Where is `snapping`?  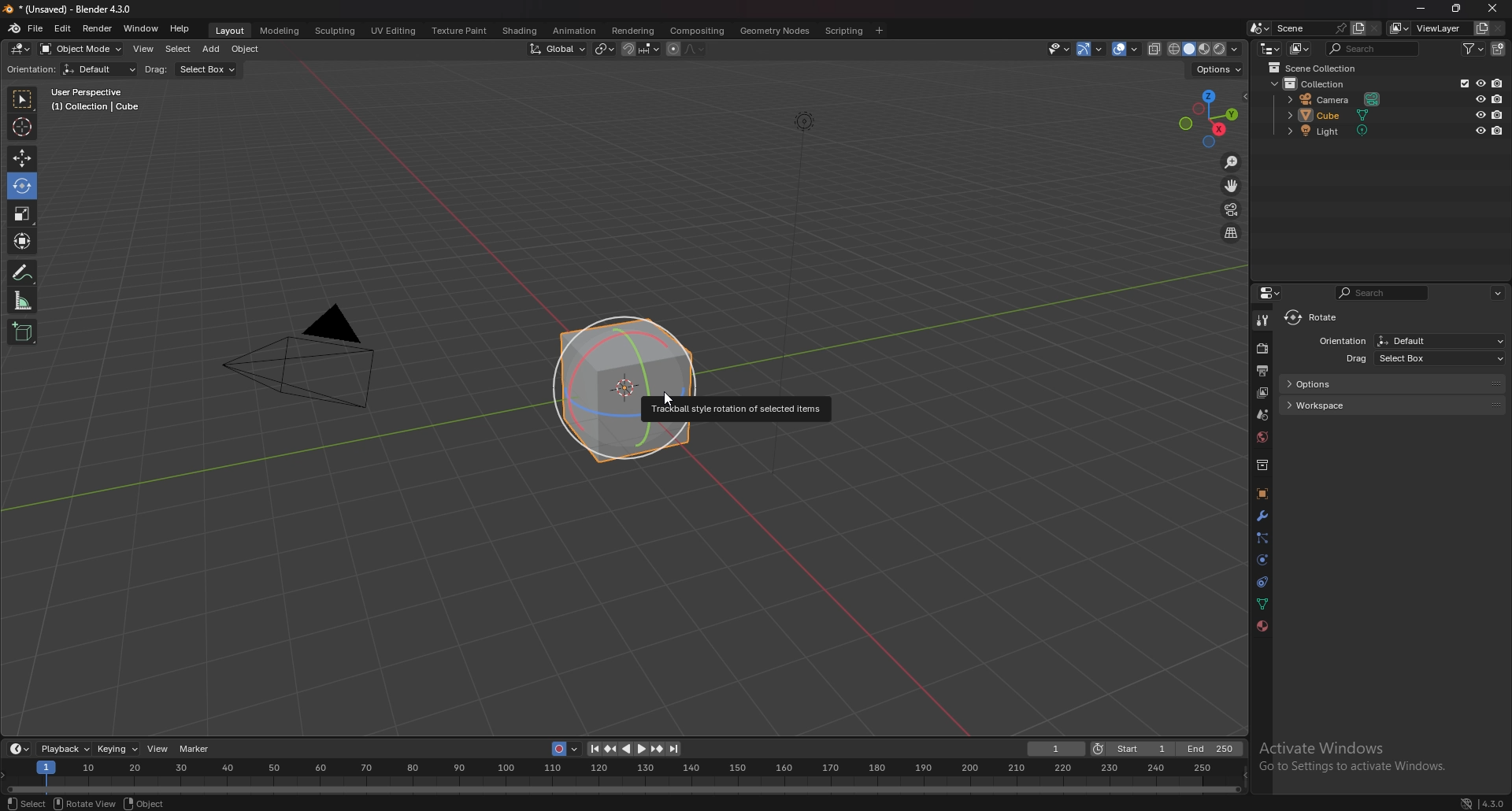 snapping is located at coordinates (641, 49).